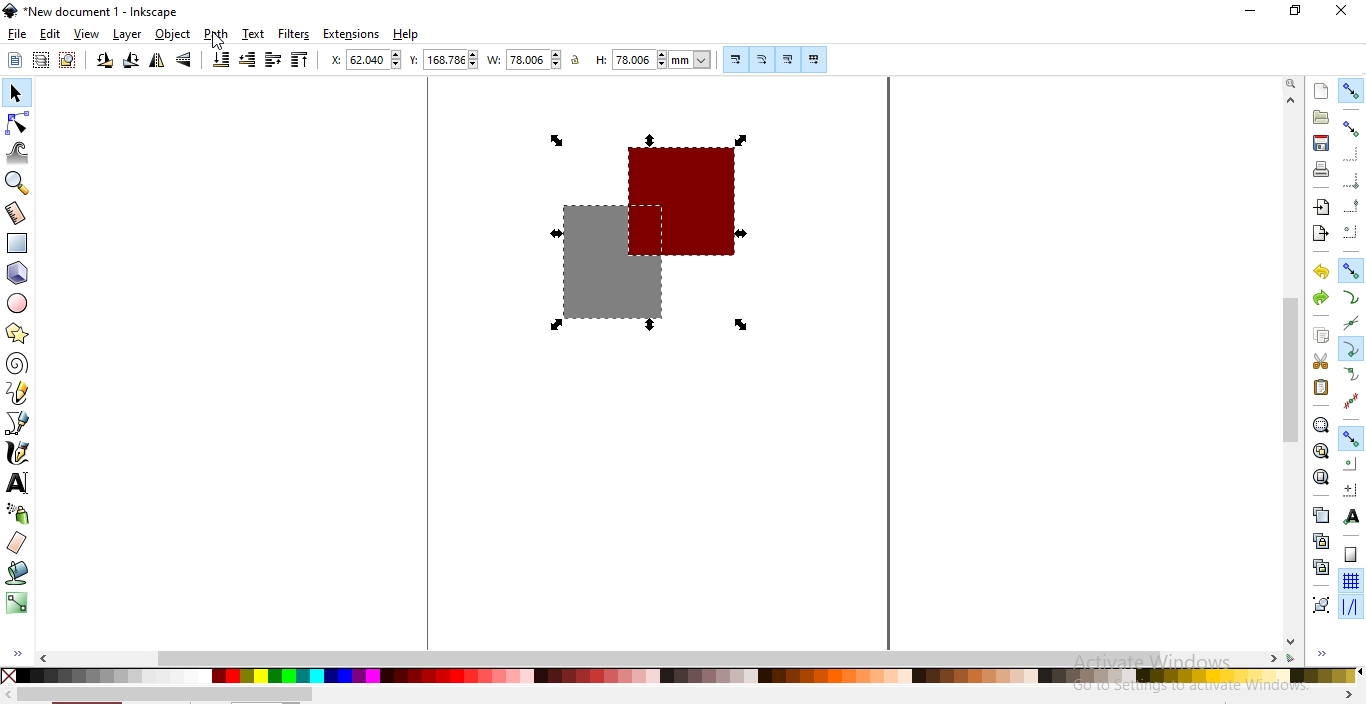 The image size is (1366, 704). Describe the element at coordinates (19, 572) in the screenshot. I see `fill bounded areas` at that location.